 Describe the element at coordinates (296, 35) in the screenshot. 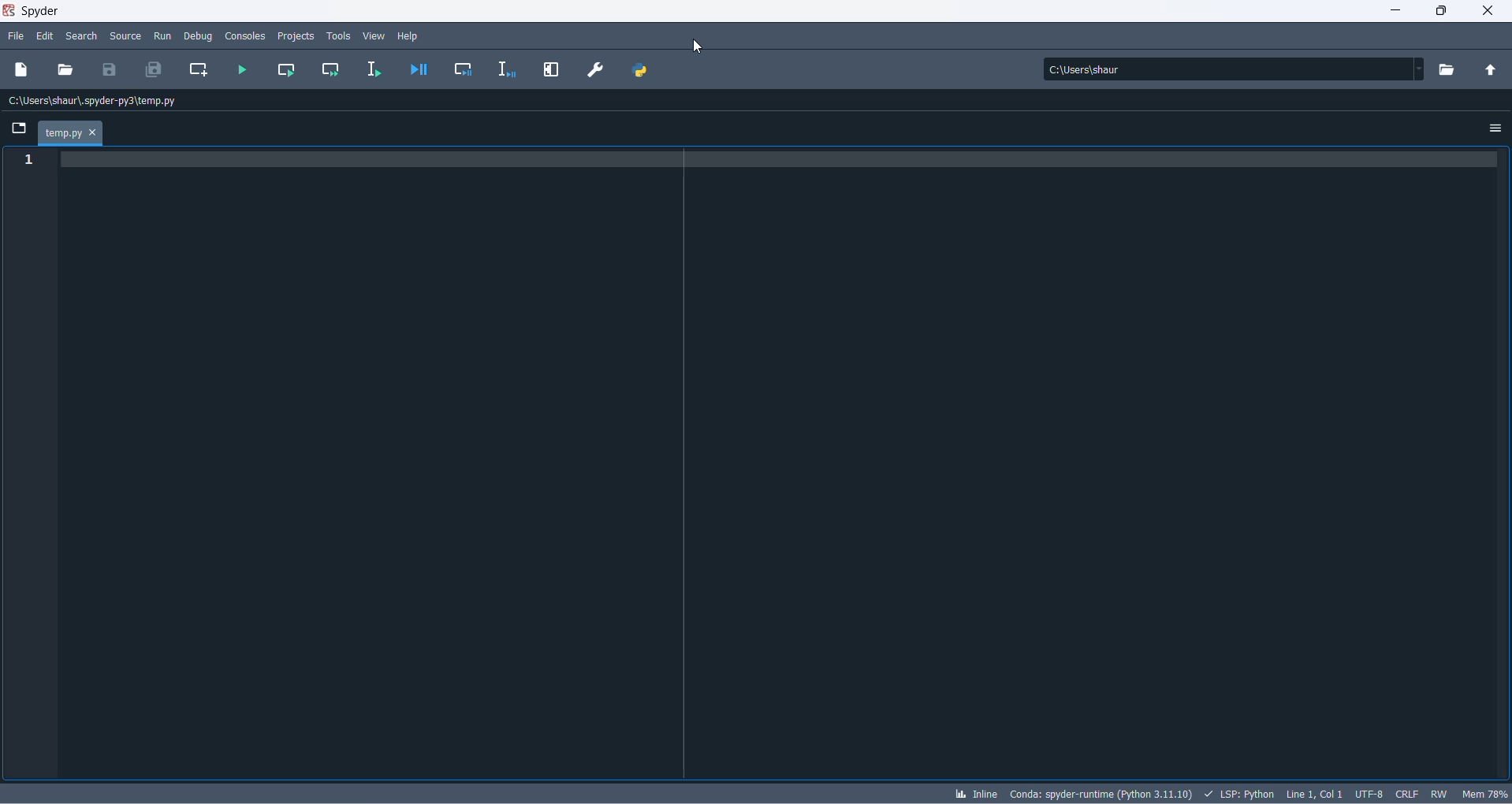

I see `projects` at that location.